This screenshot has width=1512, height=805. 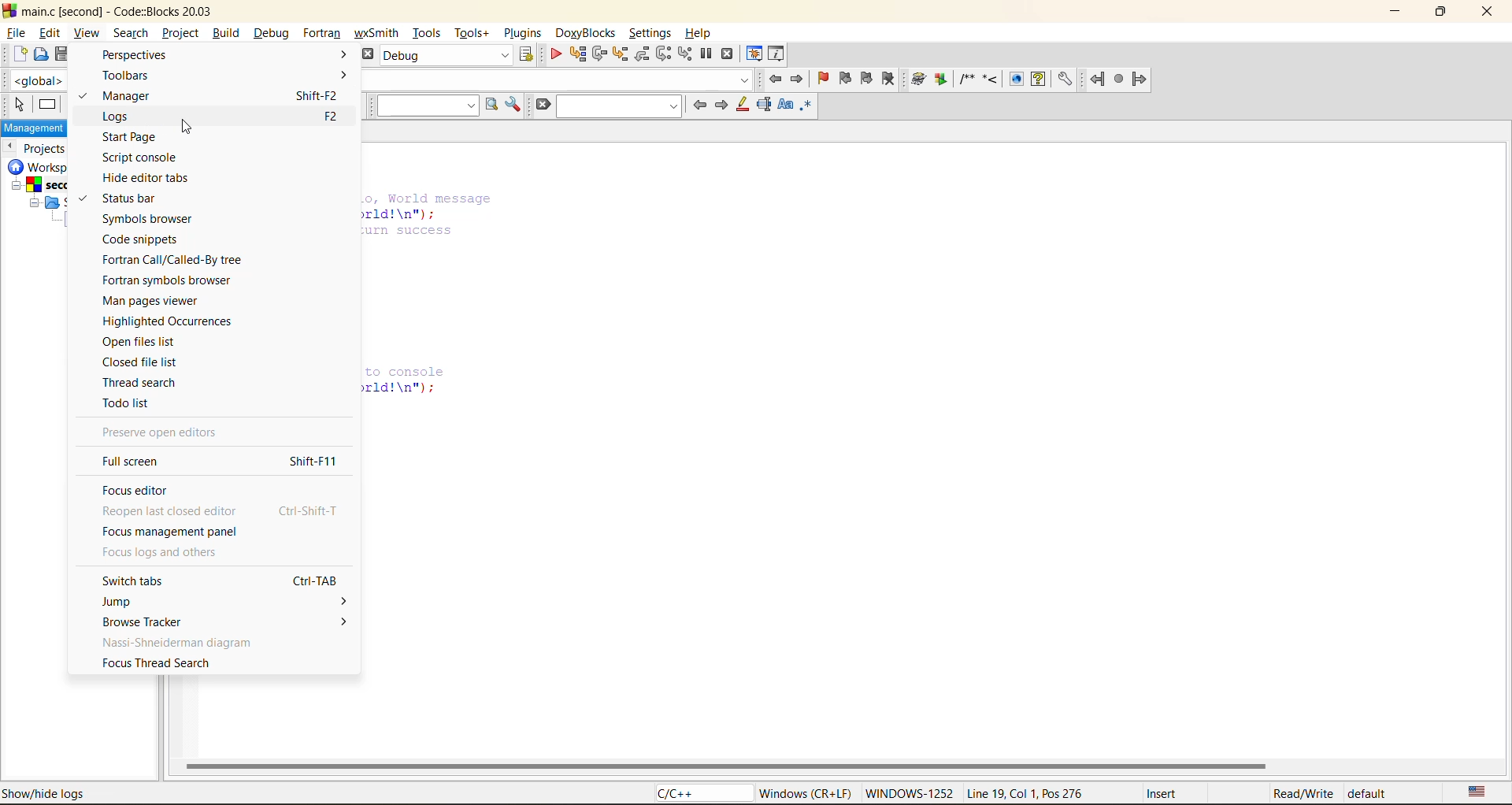 What do you see at coordinates (167, 554) in the screenshot?
I see `focus logs and others` at bounding box center [167, 554].